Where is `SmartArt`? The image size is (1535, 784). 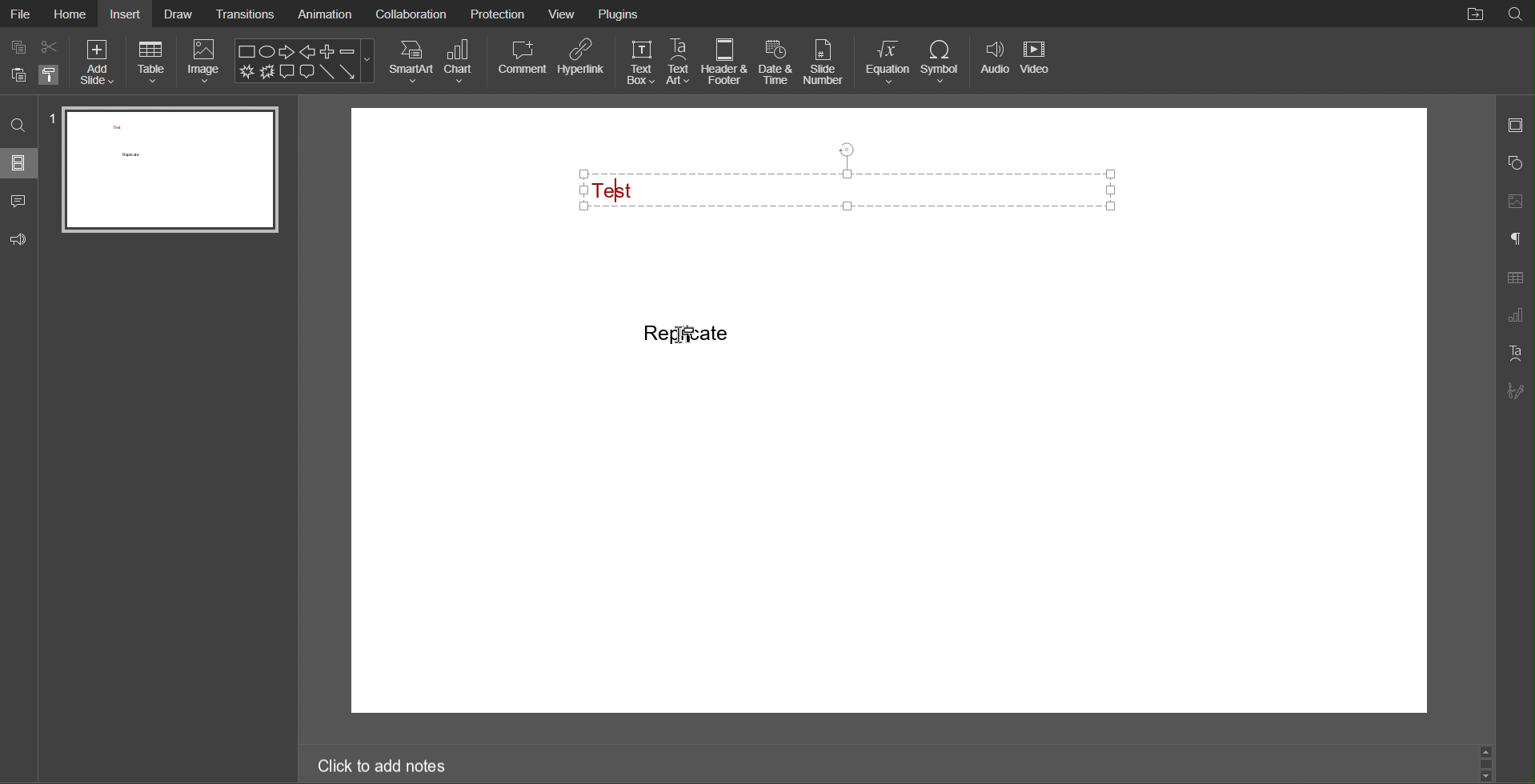
SmartArt is located at coordinates (411, 62).